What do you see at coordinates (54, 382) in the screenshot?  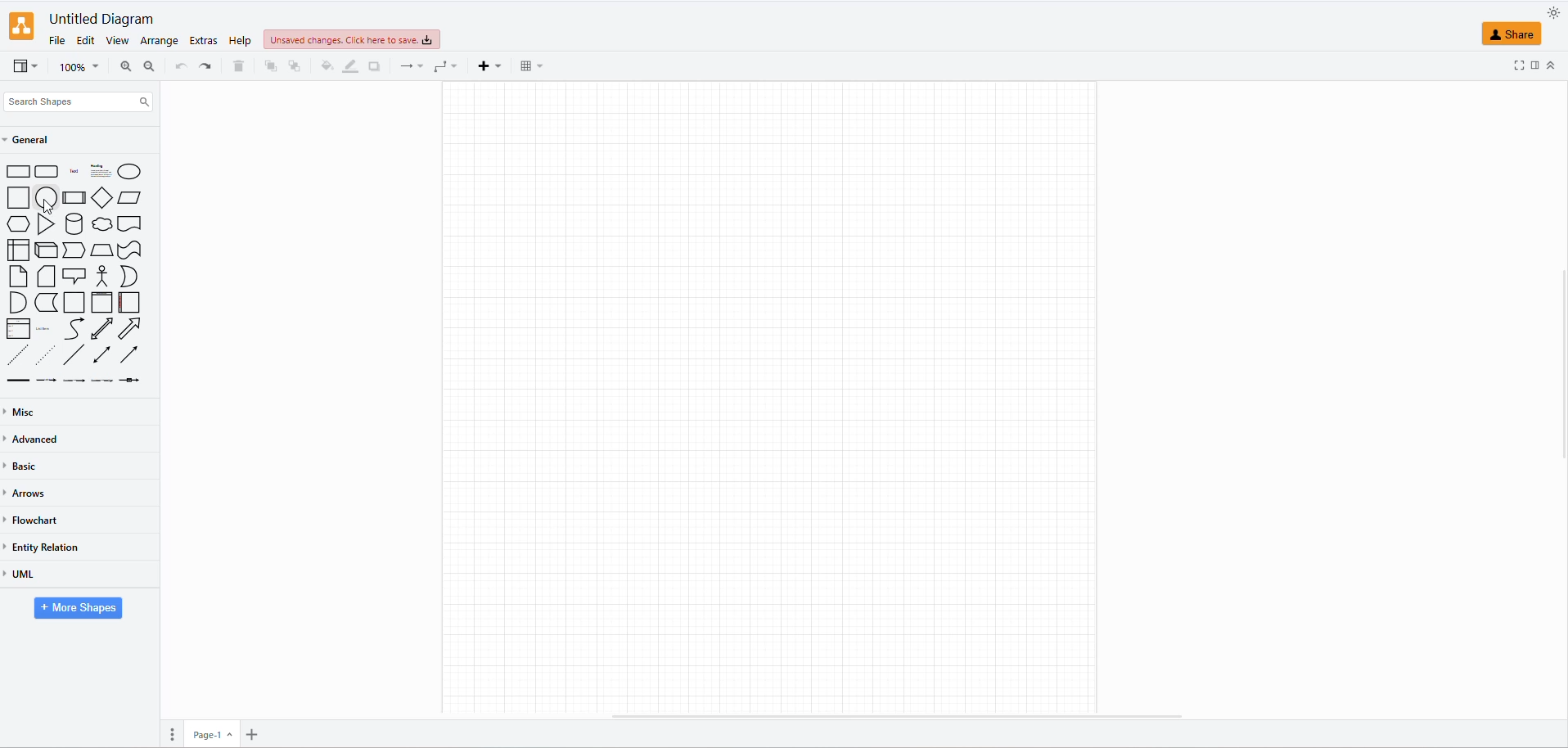 I see `dotted line` at bounding box center [54, 382].